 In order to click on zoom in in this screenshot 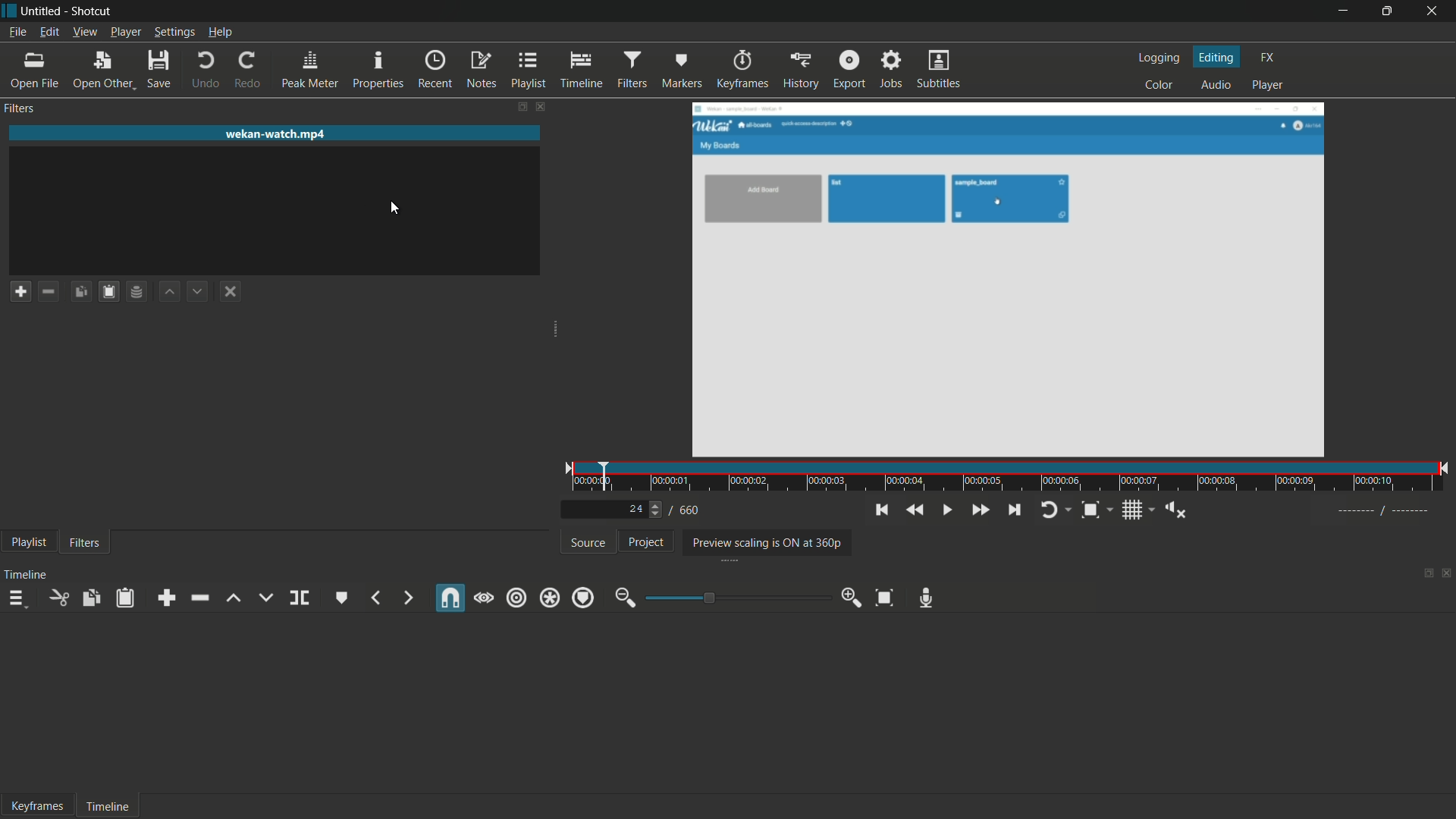, I will do `click(852, 598)`.